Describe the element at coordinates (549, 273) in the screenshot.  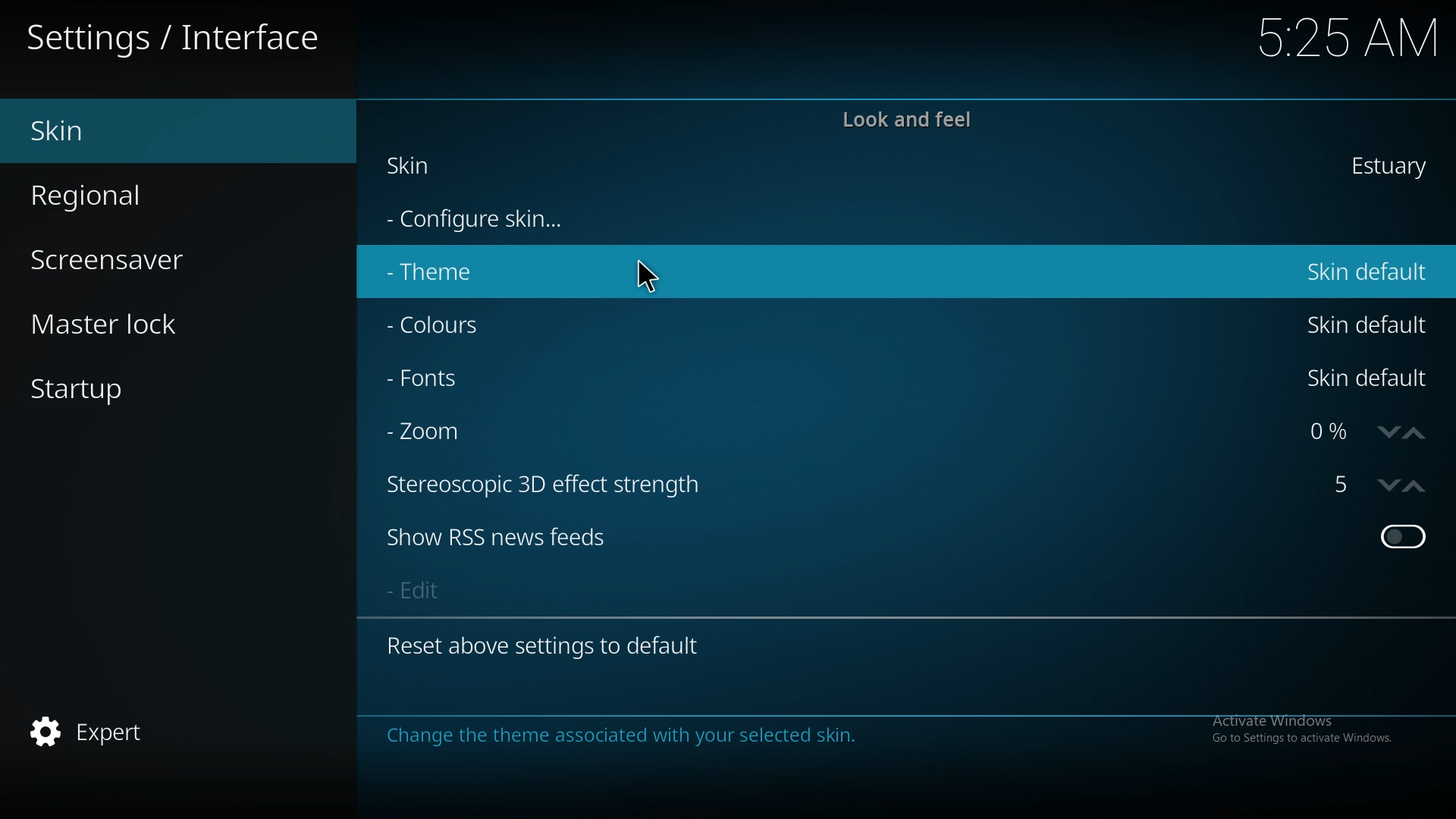
I see `theme` at that location.